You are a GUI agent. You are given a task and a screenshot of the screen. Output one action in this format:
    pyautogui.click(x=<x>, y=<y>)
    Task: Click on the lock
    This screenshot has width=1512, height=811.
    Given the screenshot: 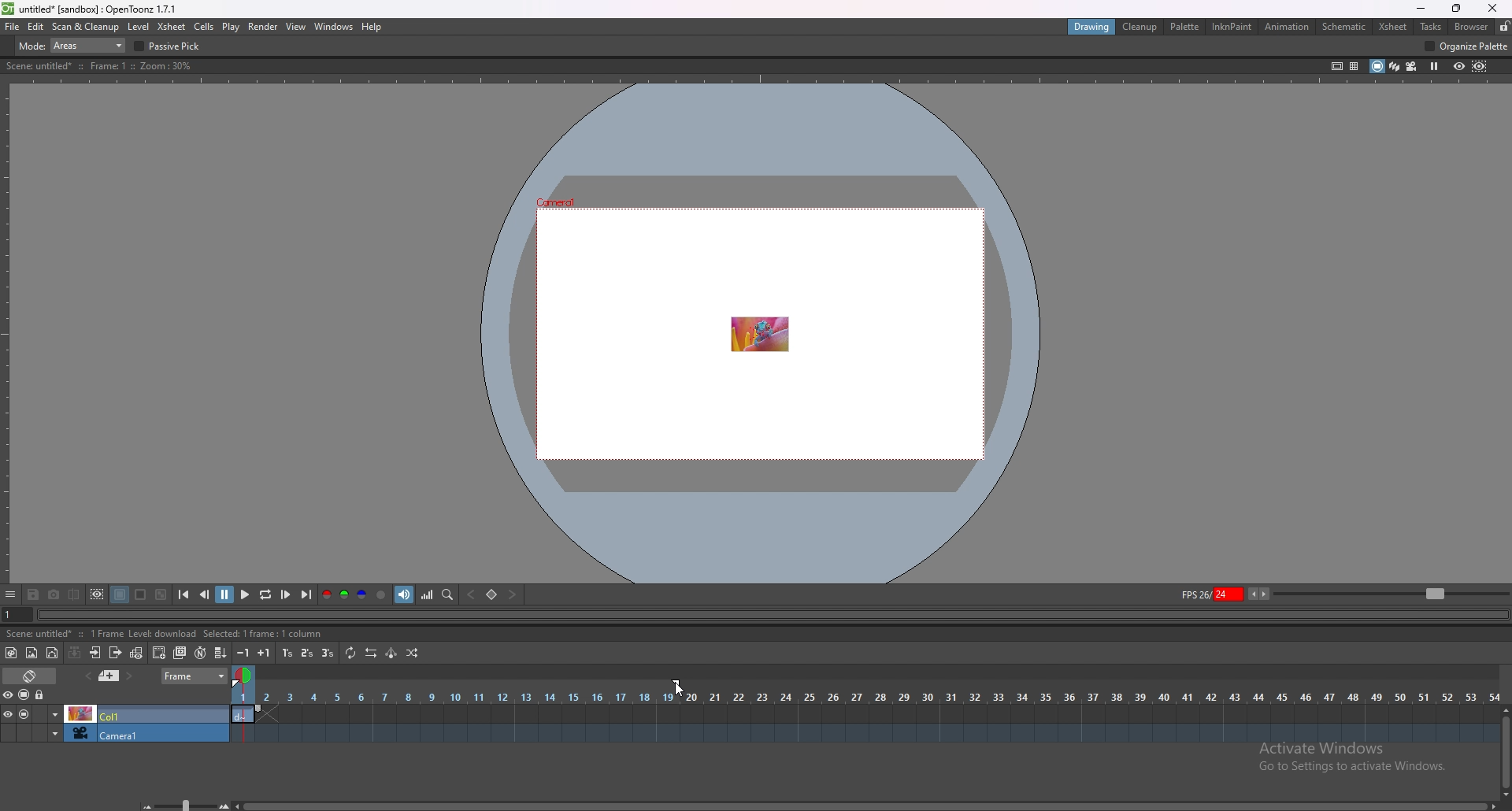 What is the action you would take?
    pyautogui.click(x=1504, y=26)
    